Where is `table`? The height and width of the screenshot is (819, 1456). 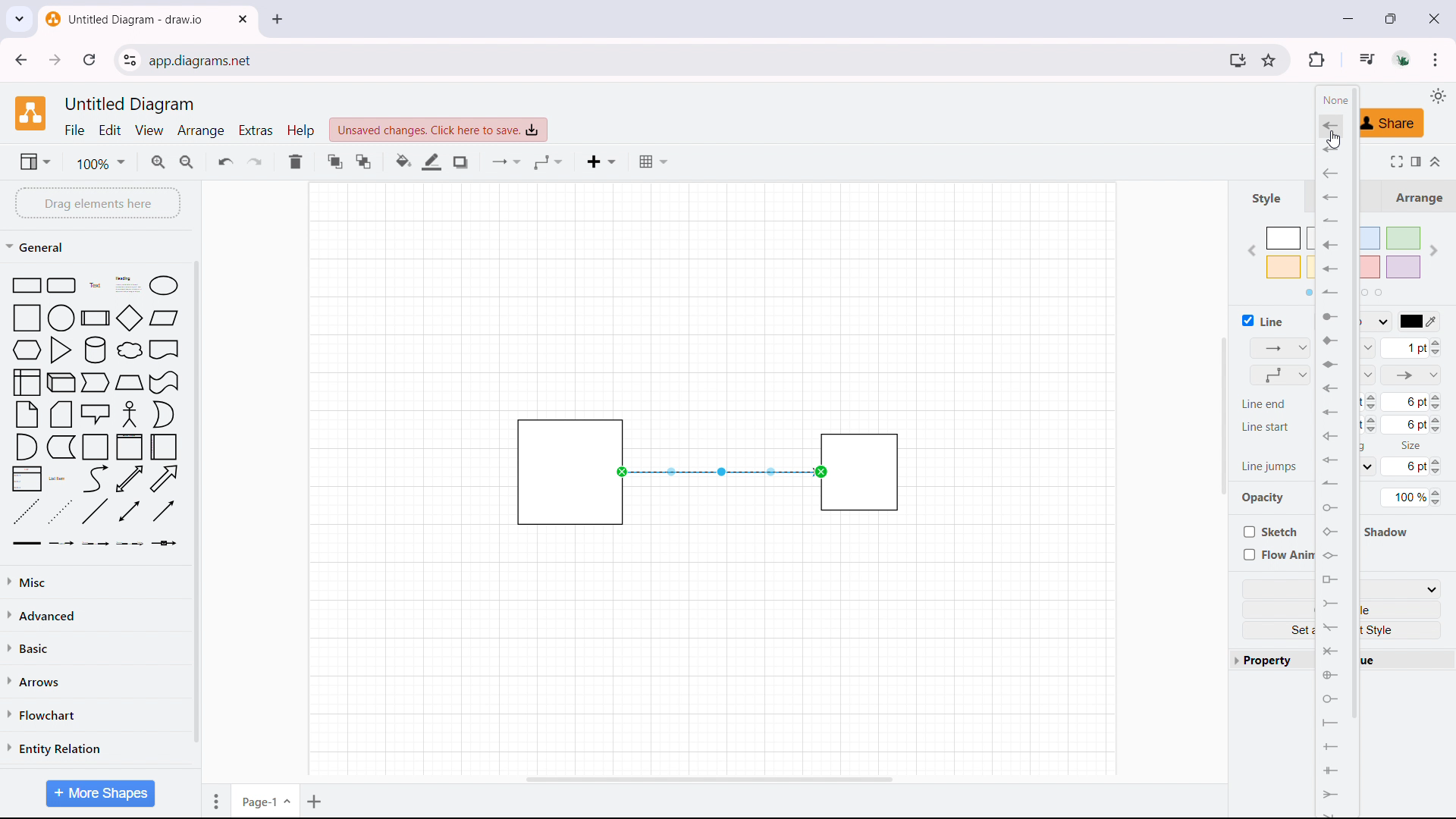 table is located at coordinates (653, 162).